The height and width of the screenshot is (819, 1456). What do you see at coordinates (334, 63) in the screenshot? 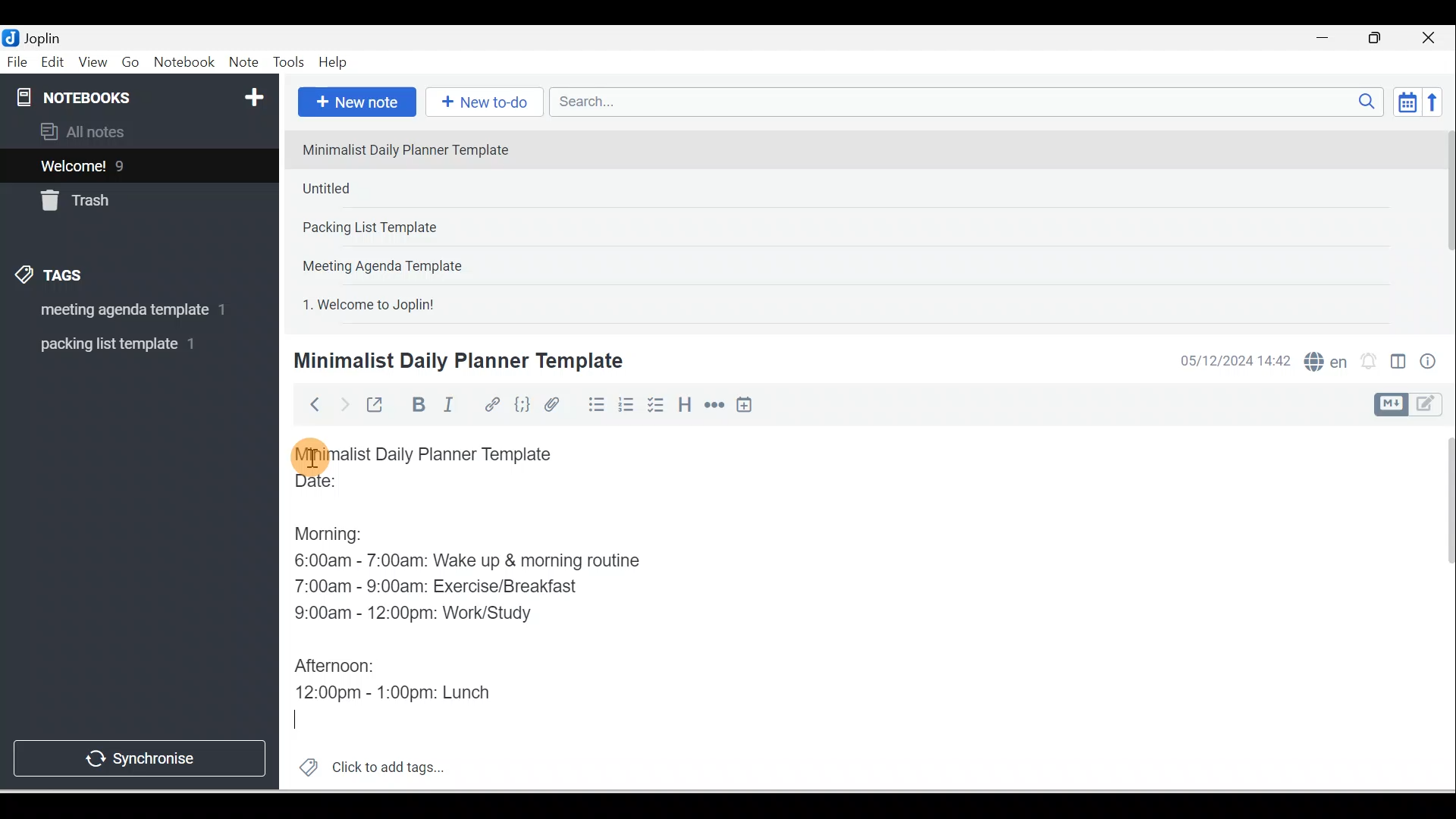
I see `Help` at bounding box center [334, 63].